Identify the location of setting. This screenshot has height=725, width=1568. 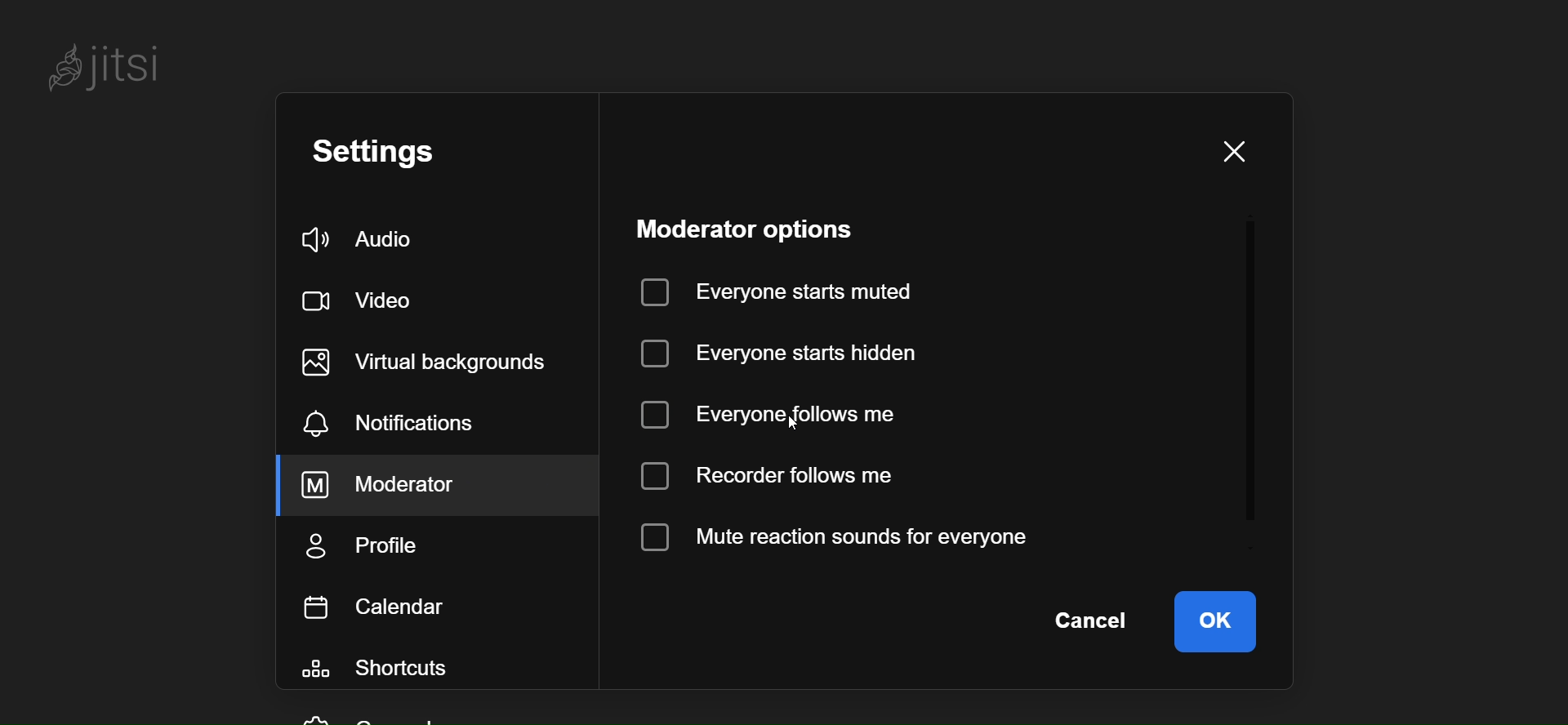
(394, 153).